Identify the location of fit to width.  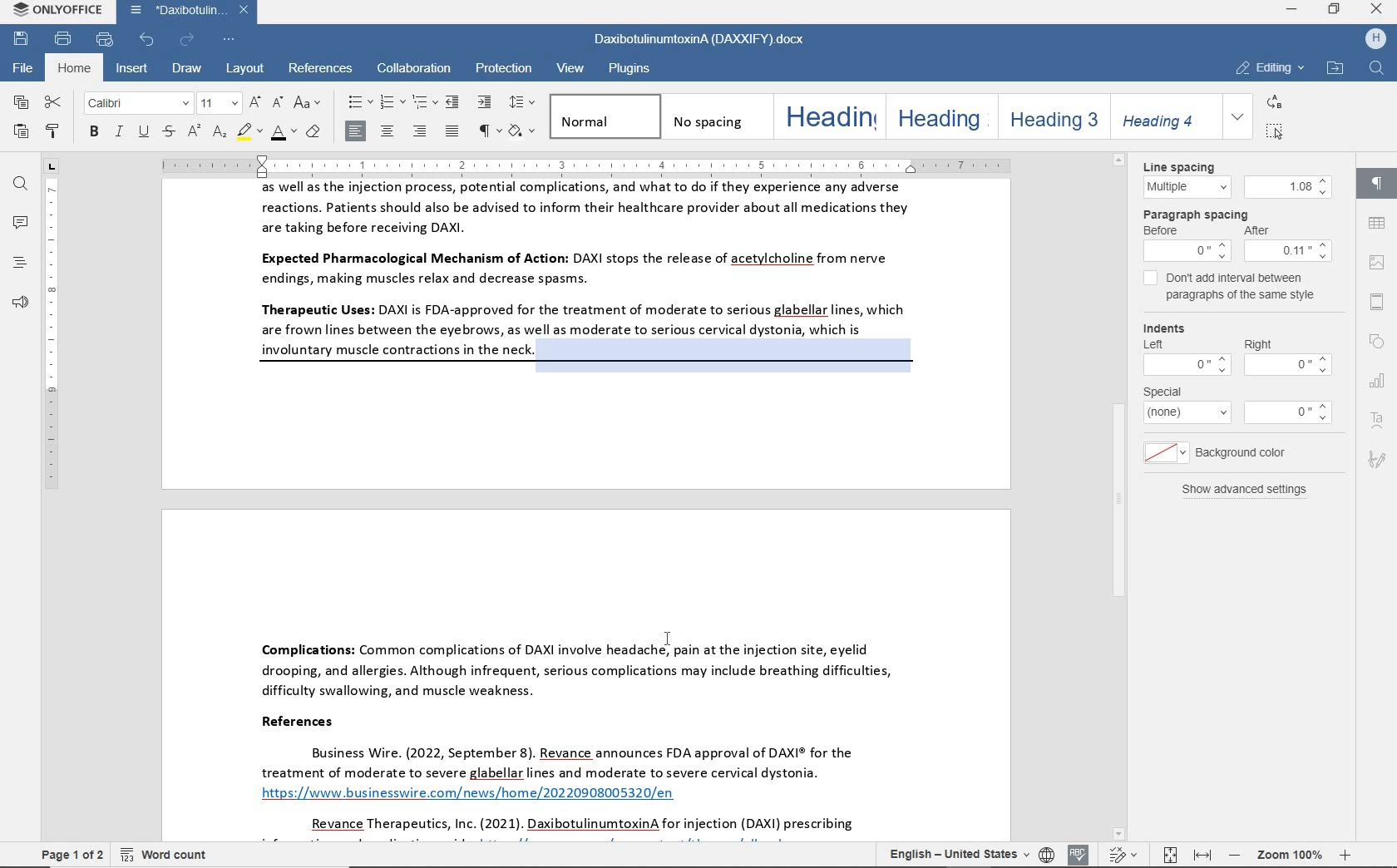
(1201, 856).